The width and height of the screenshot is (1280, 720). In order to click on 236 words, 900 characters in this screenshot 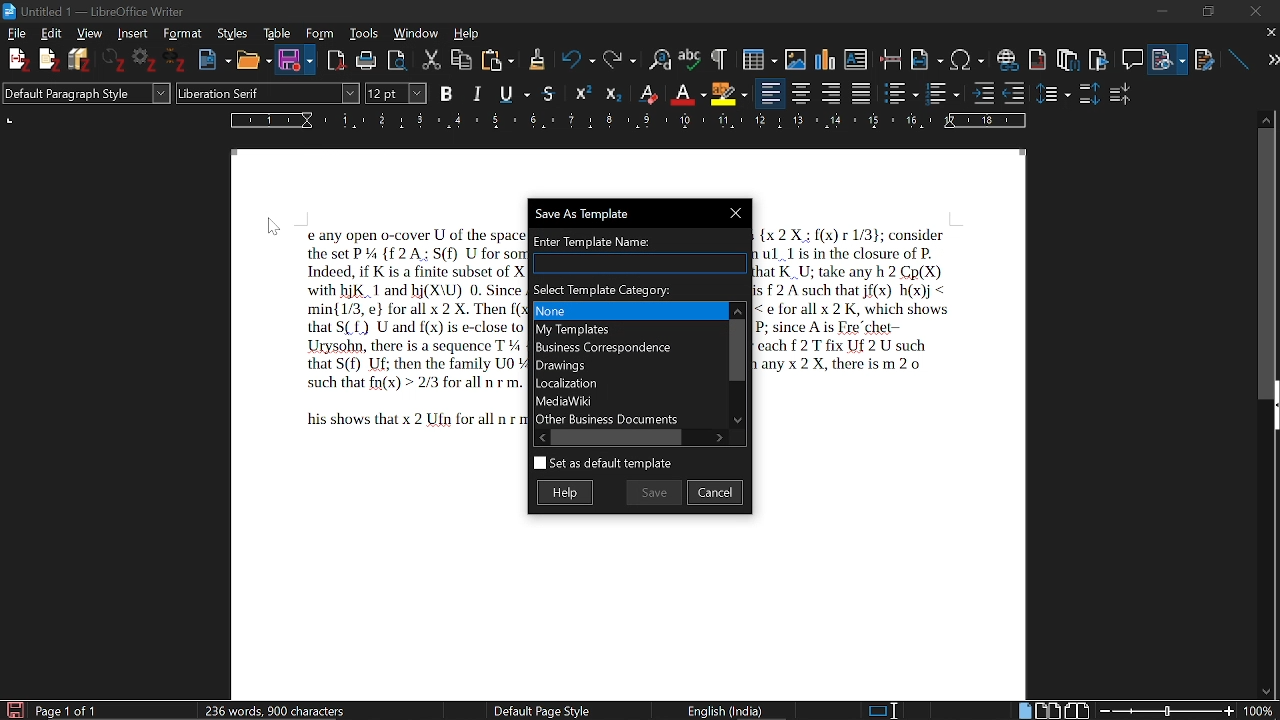, I will do `click(276, 707)`.